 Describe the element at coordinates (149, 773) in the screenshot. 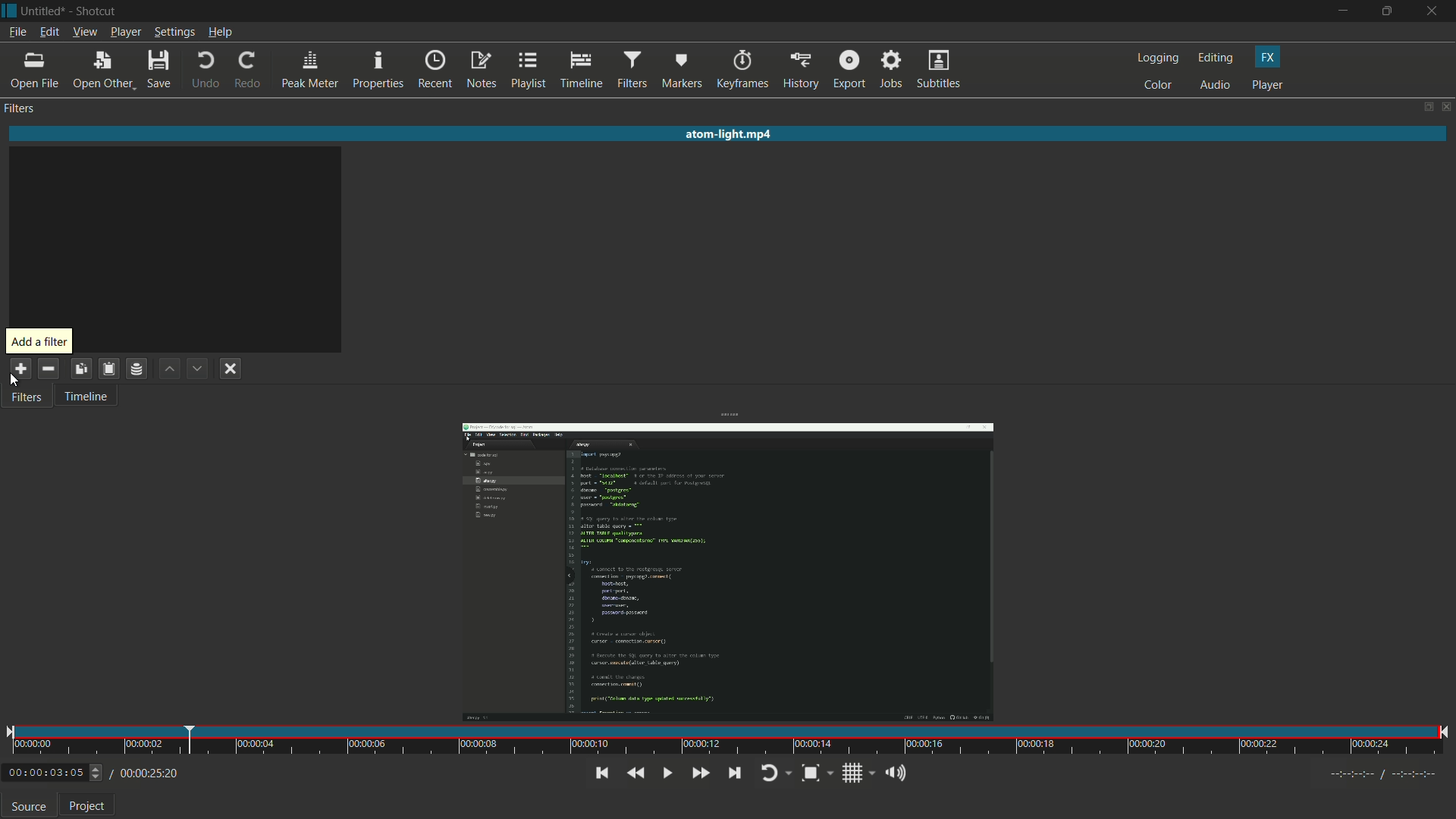

I see `/00:00:25:20` at that location.